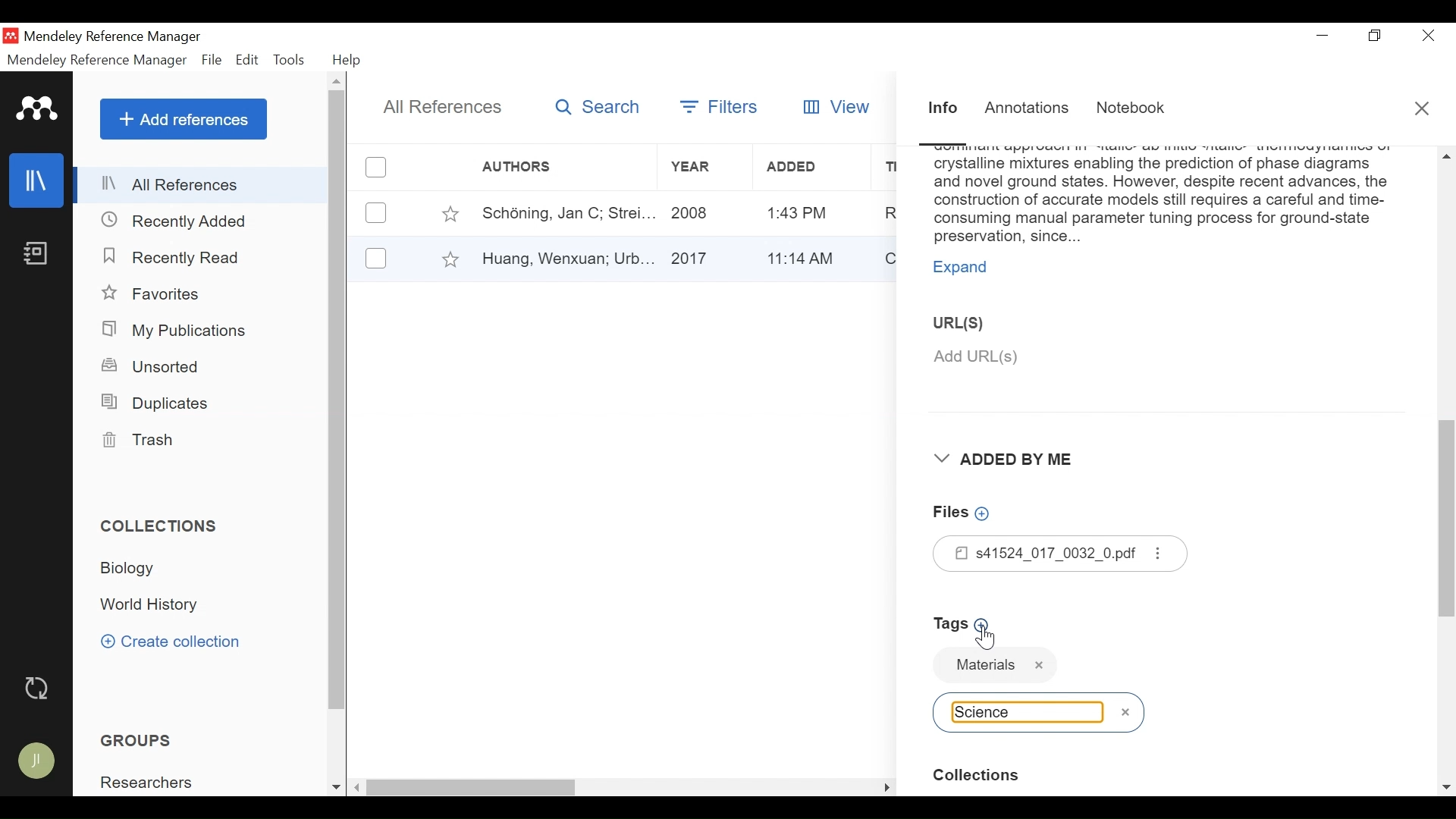  I want to click on Avatar, so click(37, 761).